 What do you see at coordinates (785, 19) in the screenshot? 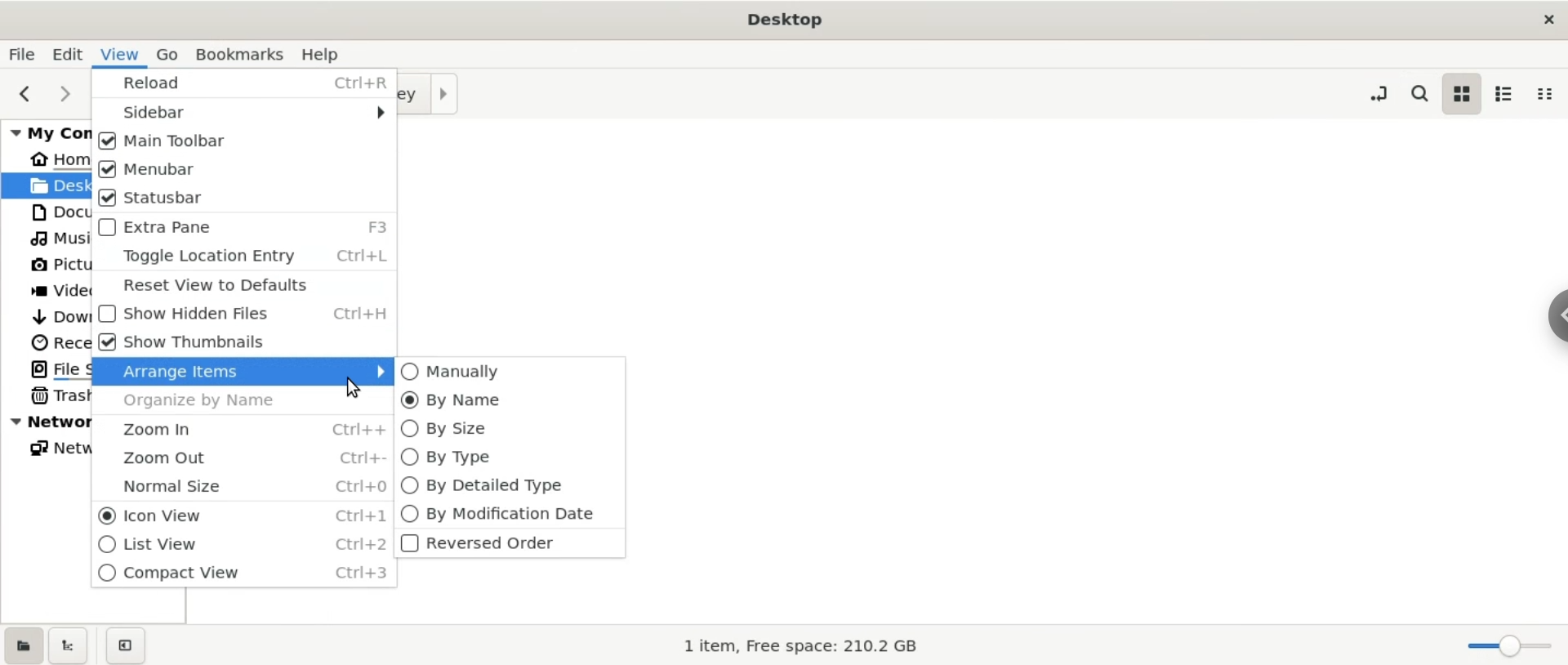
I see `Desktop` at bounding box center [785, 19].